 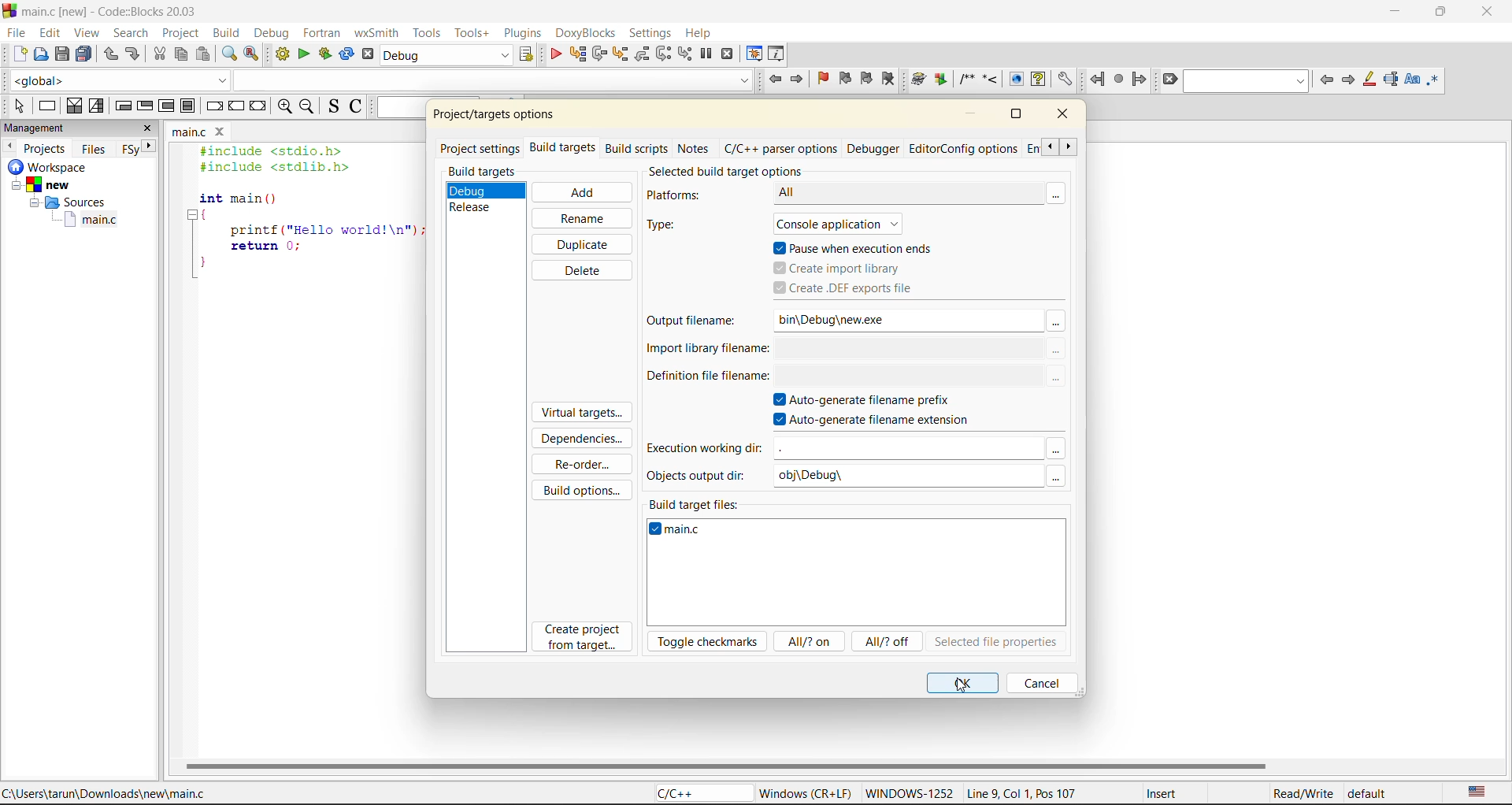 I want to click on build options, so click(x=585, y=488).